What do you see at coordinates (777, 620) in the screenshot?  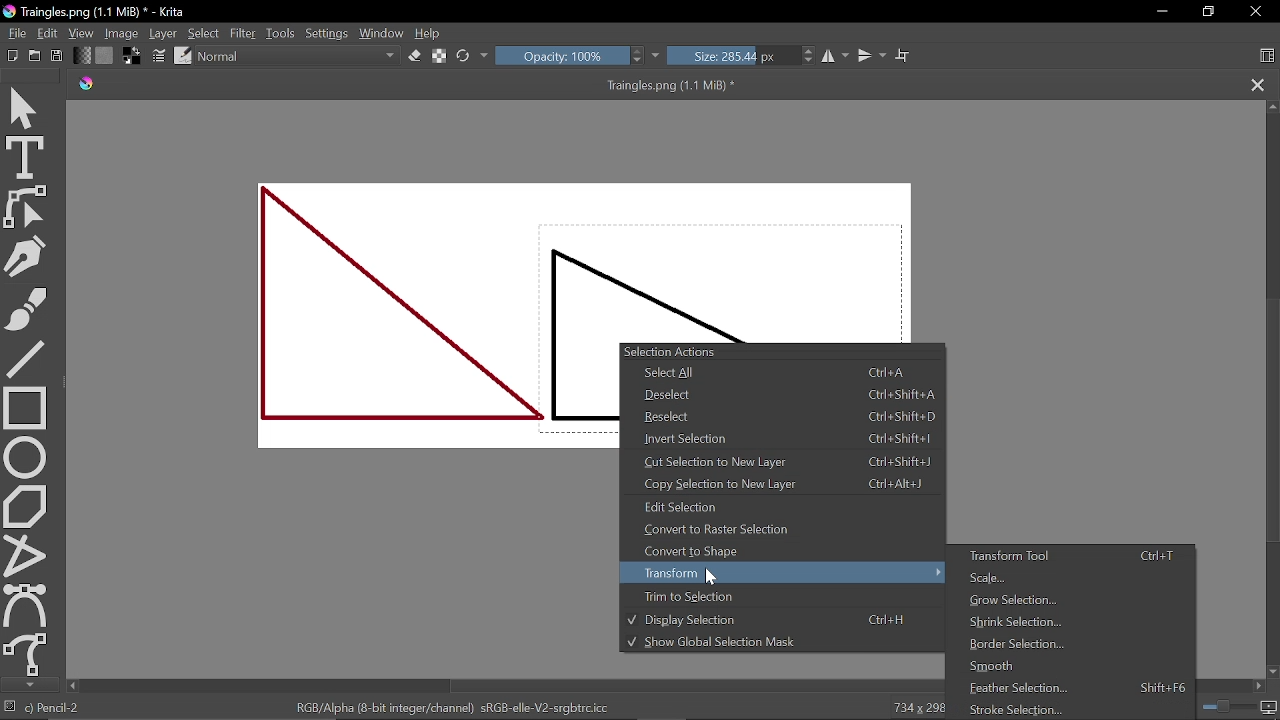 I see `Display selection` at bounding box center [777, 620].